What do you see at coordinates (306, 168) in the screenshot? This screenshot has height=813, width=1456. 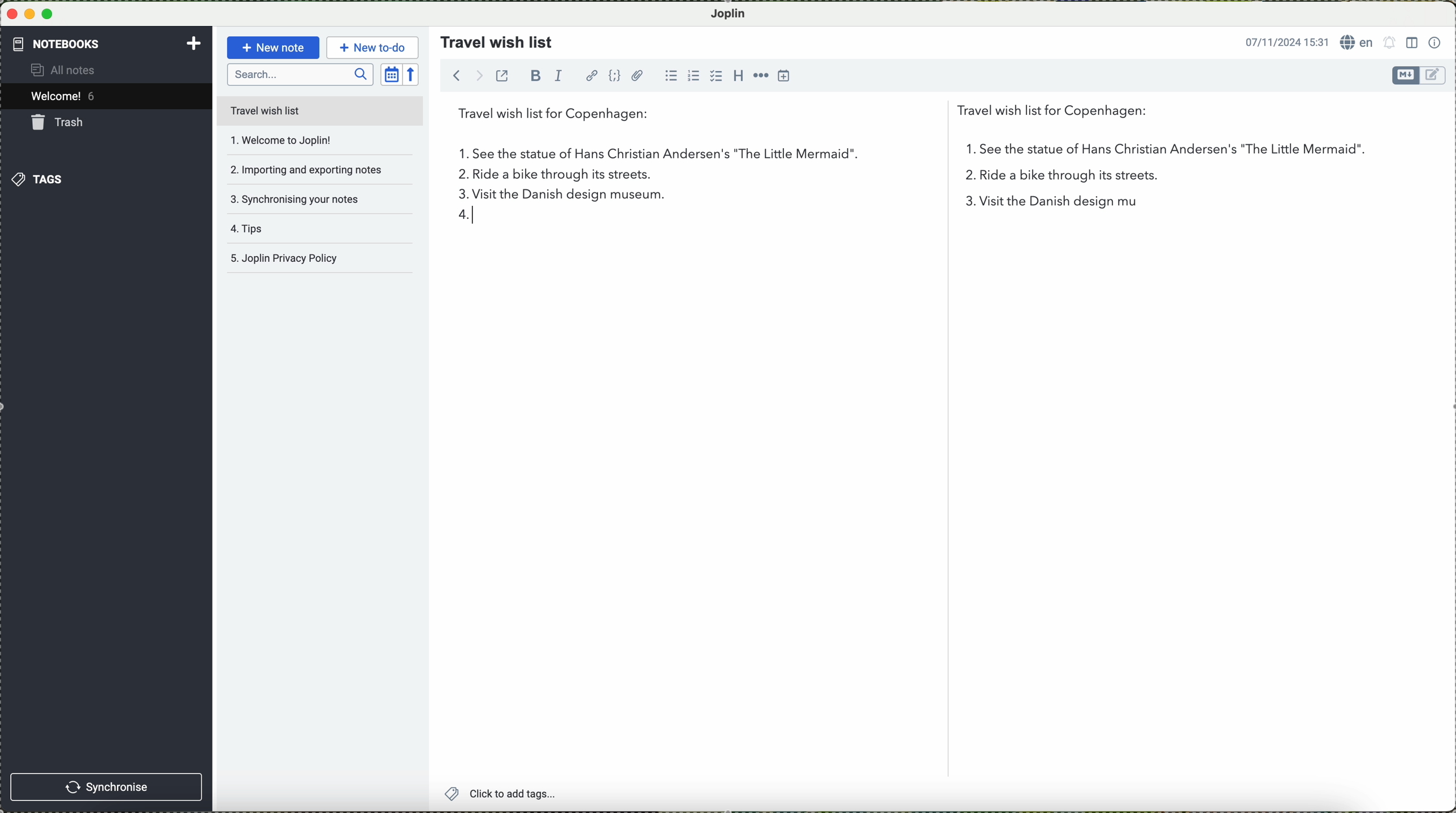 I see `importing and exporting notes` at bounding box center [306, 168].